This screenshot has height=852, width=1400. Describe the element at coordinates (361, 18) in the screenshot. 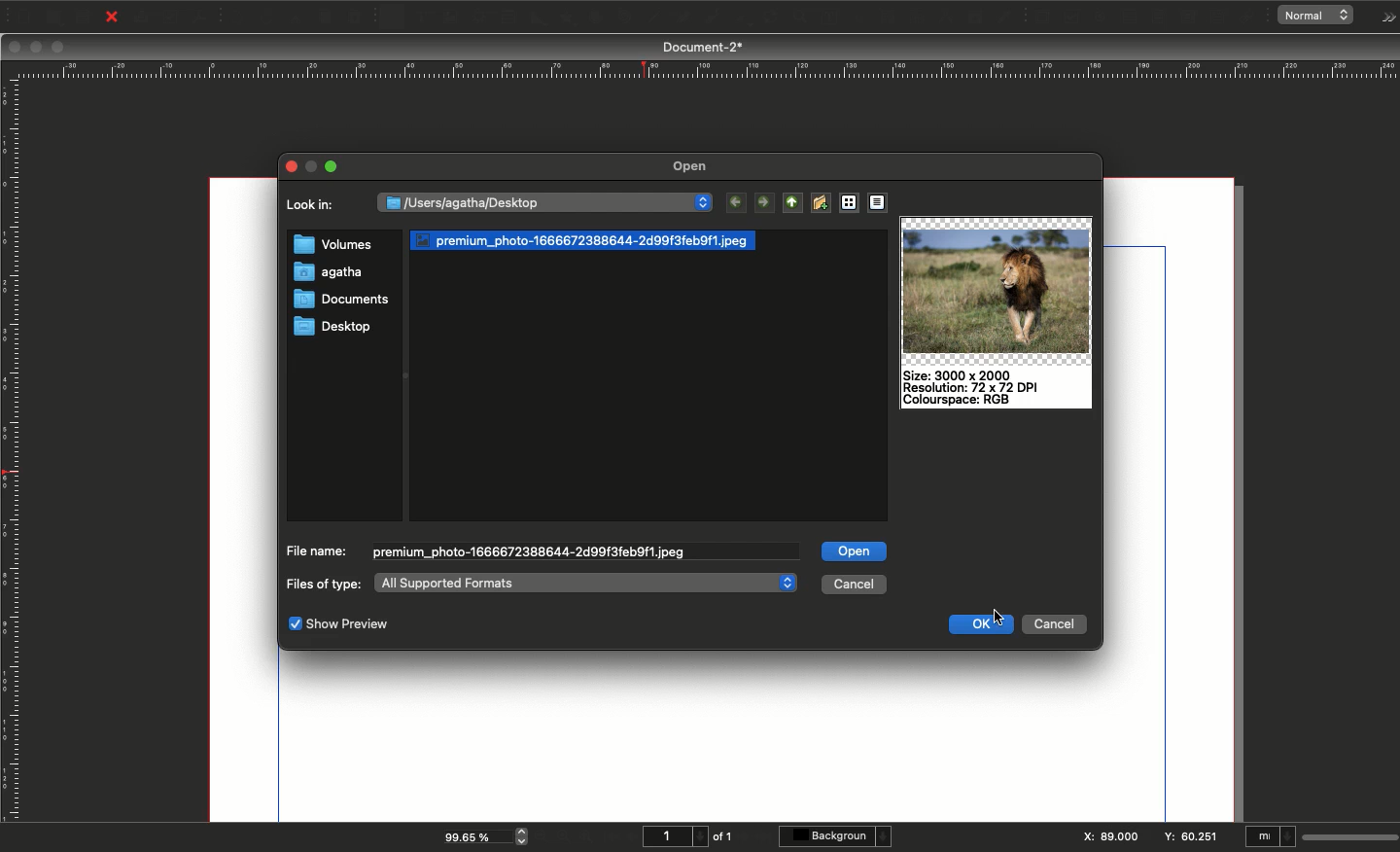

I see `Paste` at that location.